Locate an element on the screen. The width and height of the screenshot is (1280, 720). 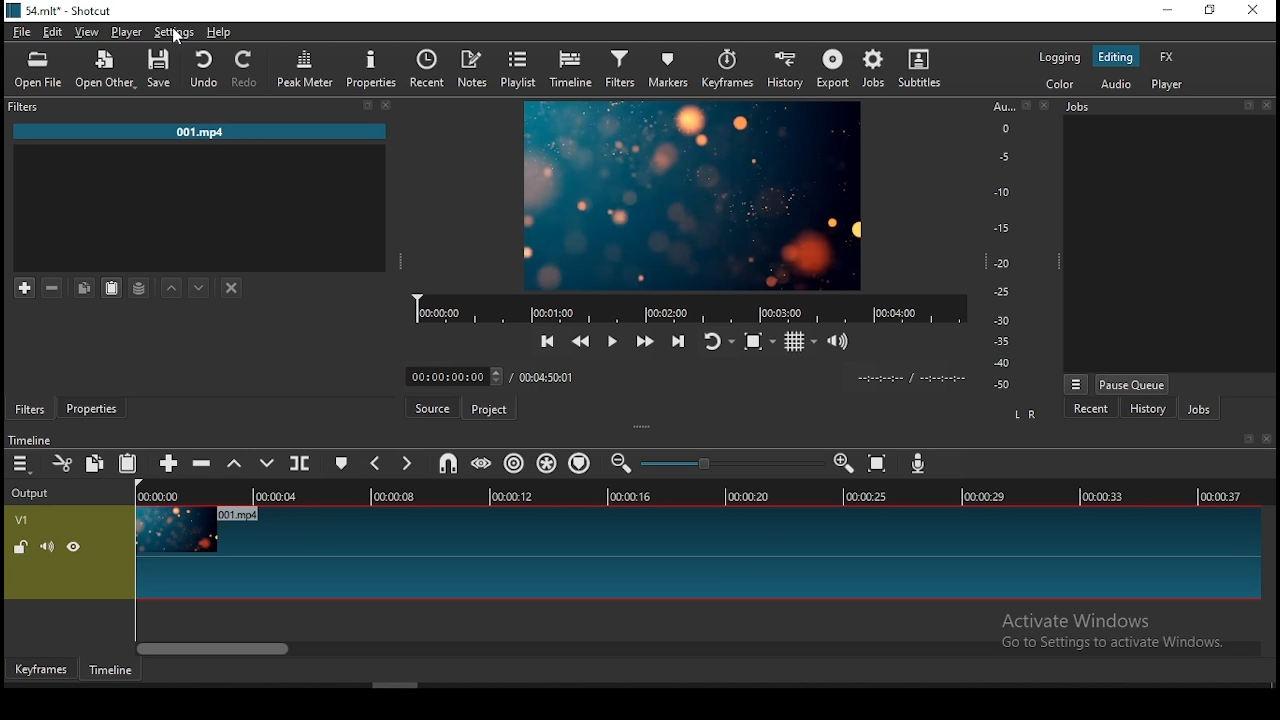
history is located at coordinates (781, 71).